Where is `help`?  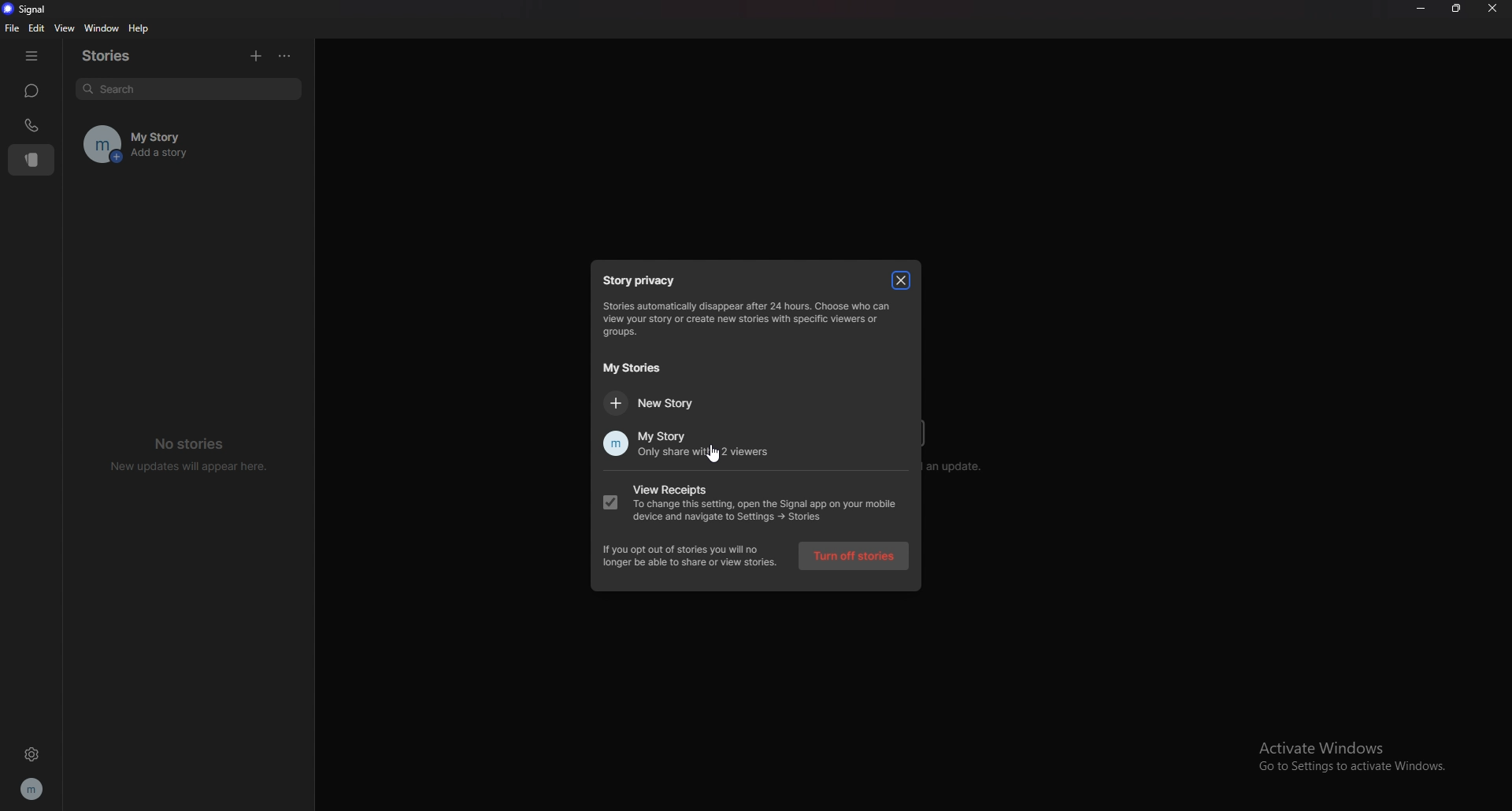 help is located at coordinates (139, 28).